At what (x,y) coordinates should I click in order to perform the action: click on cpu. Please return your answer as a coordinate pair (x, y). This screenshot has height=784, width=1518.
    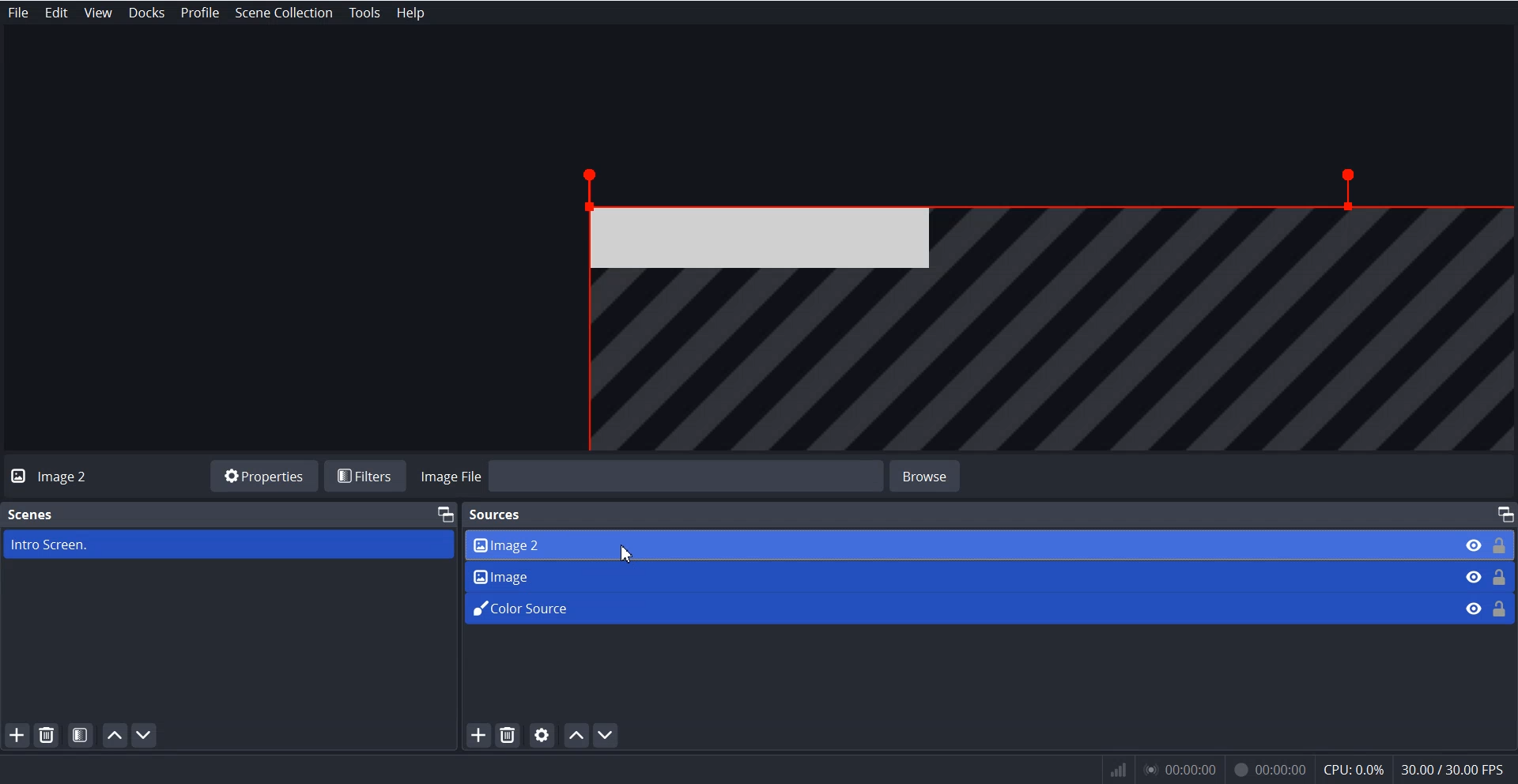
    Looking at the image, I should click on (1353, 767).